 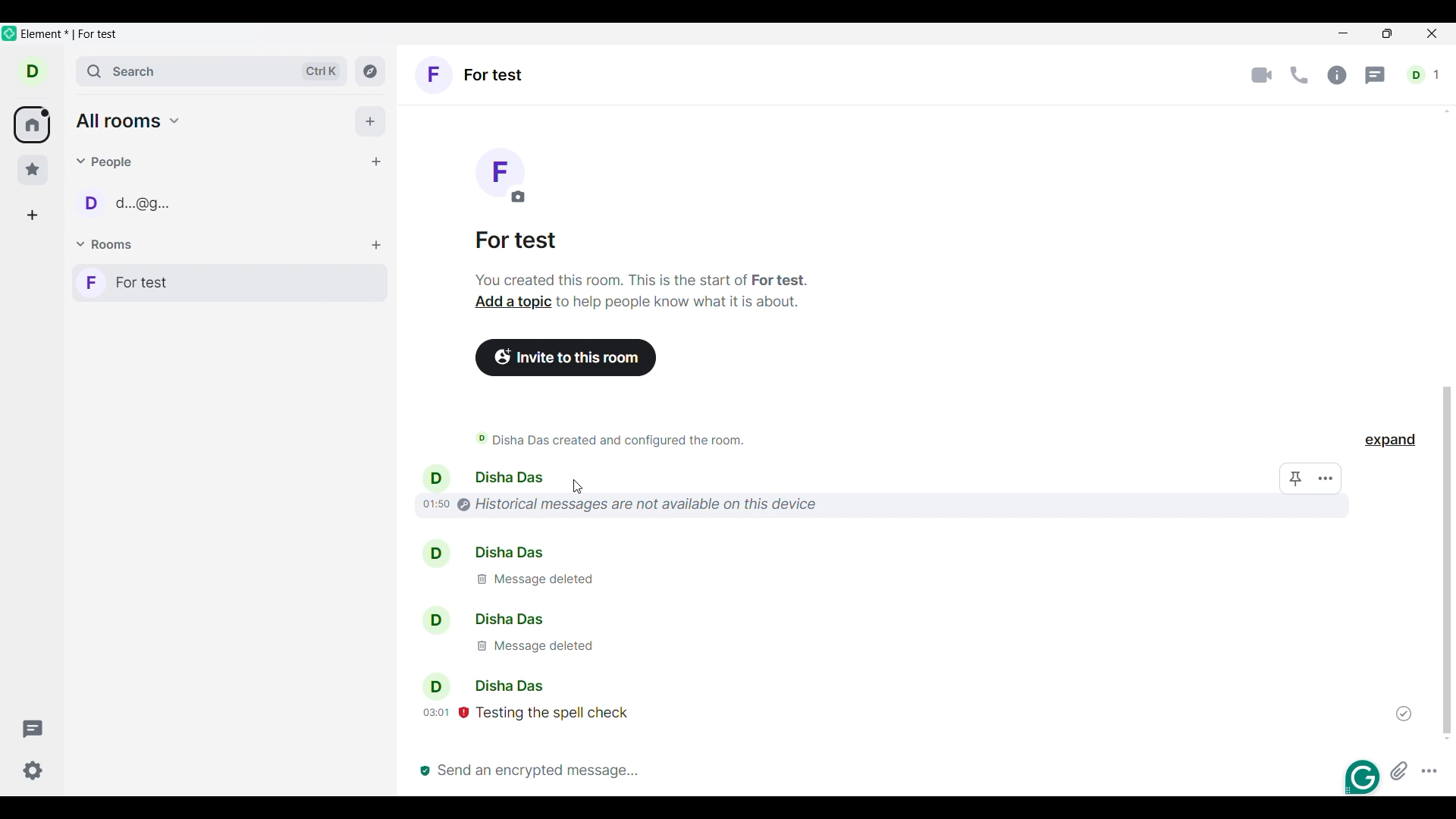 I want to click on More options, so click(x=1326, y=479).